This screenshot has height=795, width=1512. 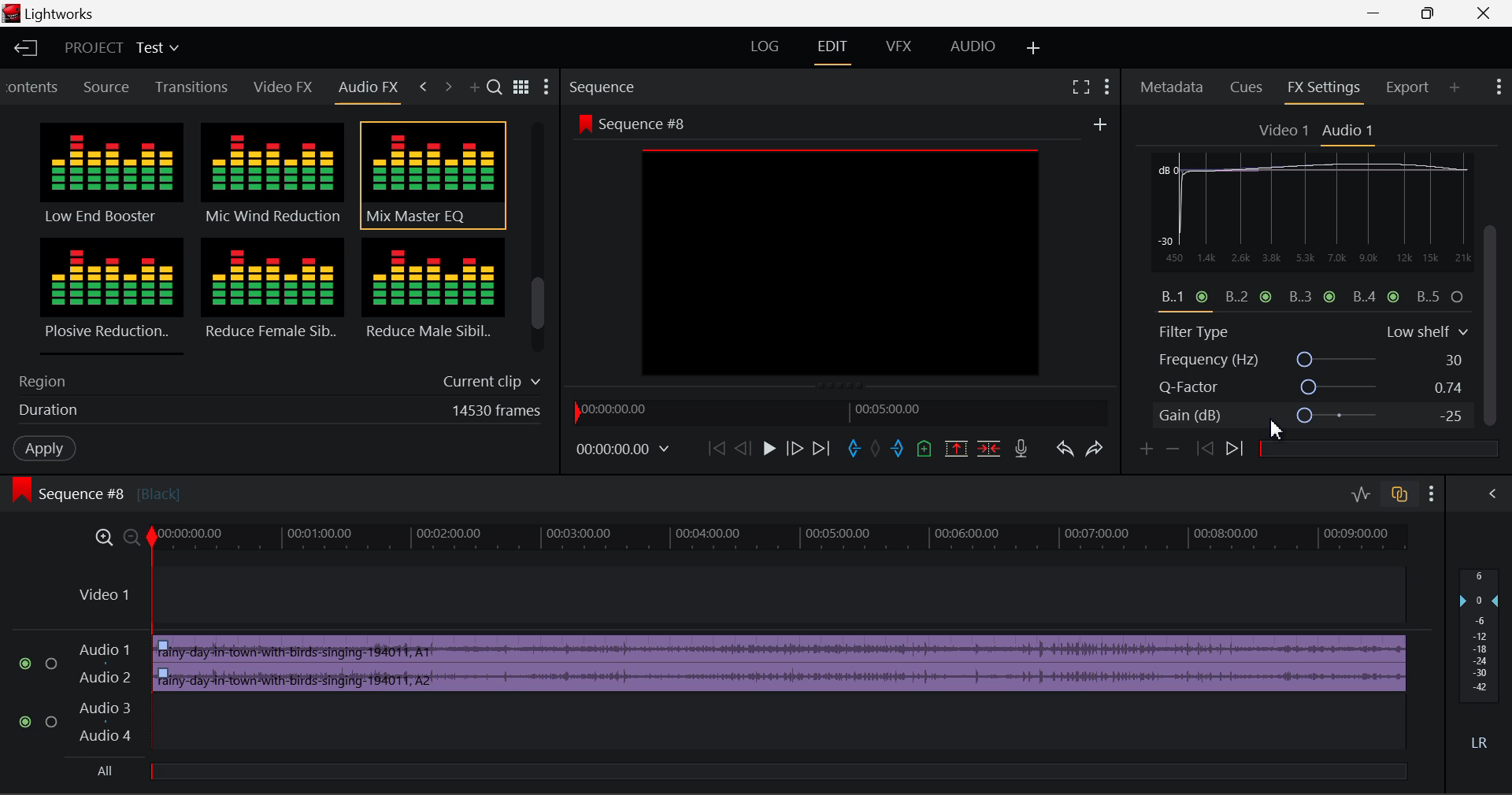 I want to click on Next keyframe, so click(x=1238, y=449).